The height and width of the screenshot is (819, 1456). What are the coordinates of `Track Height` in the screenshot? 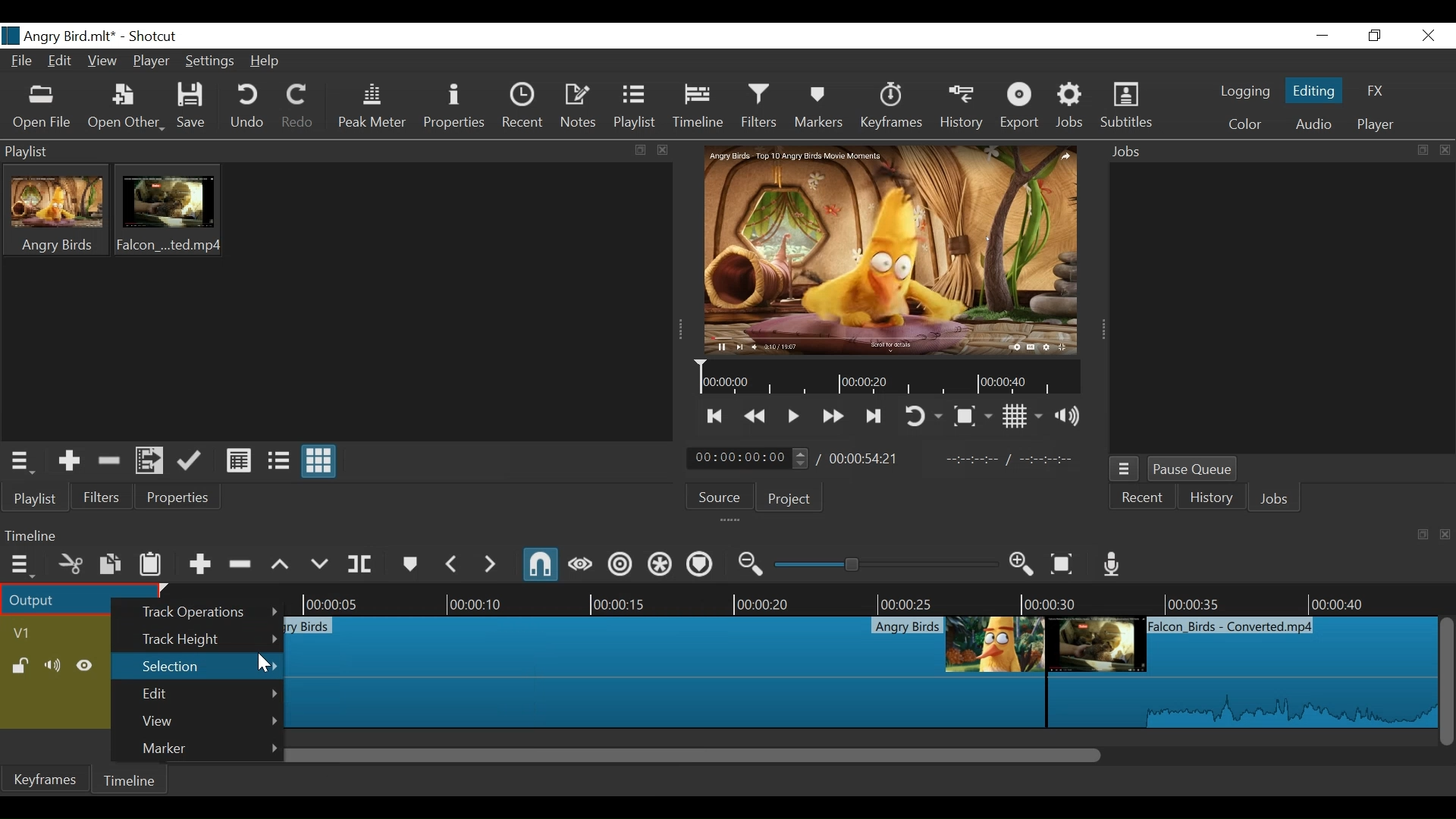 It's located at (211, 641).